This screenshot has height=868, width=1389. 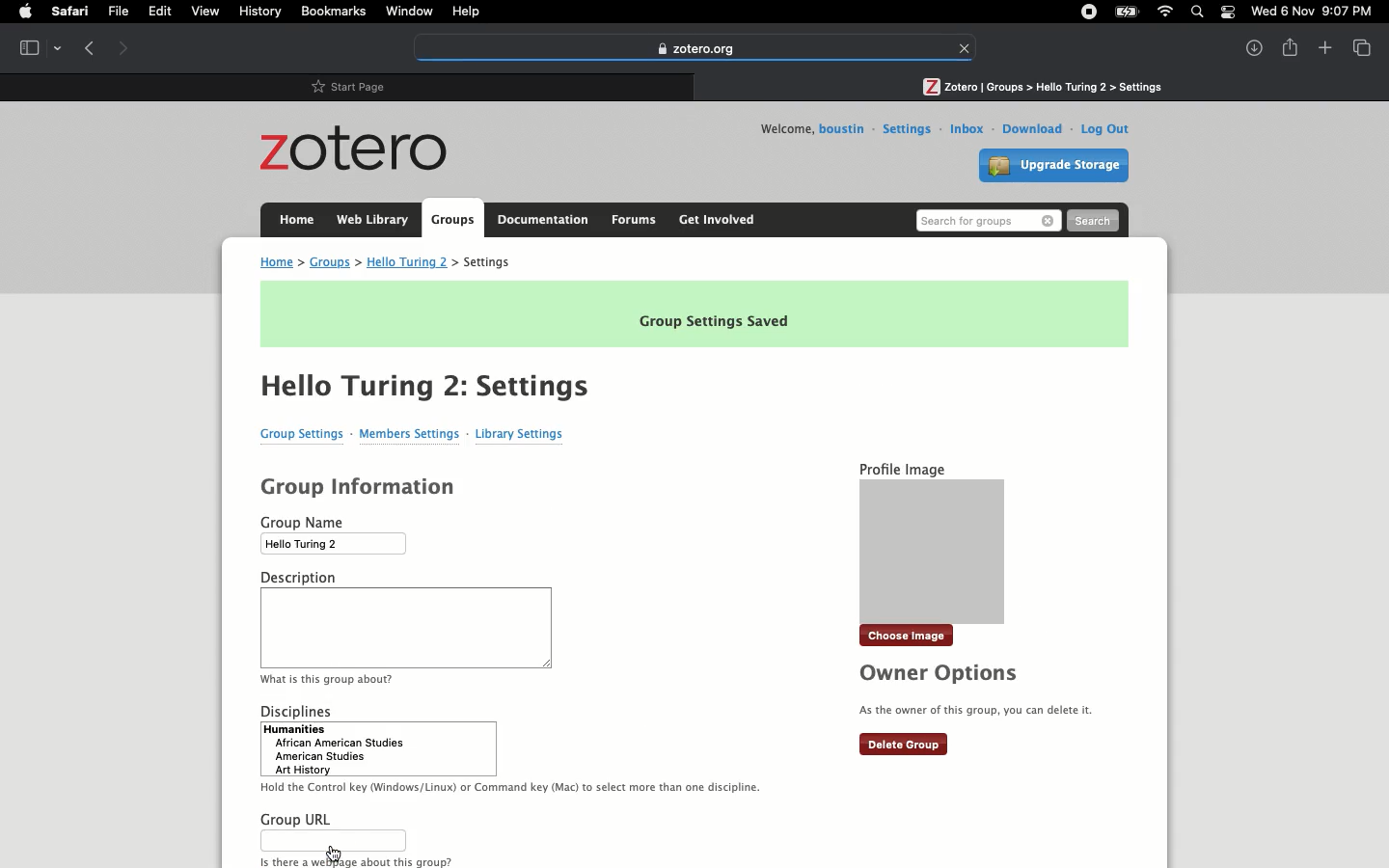 I want to click on Edit, so click(x=164, y=14).